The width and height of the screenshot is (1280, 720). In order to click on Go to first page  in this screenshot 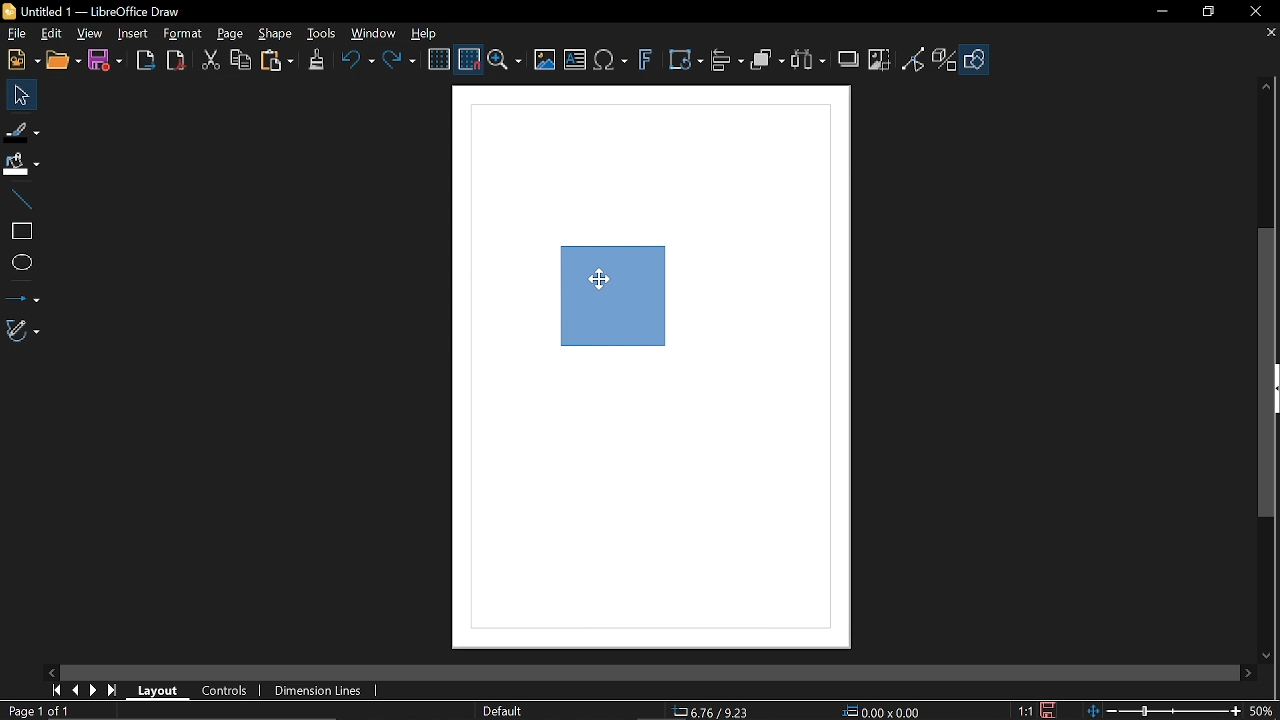, I will do `click(56, 691)`.